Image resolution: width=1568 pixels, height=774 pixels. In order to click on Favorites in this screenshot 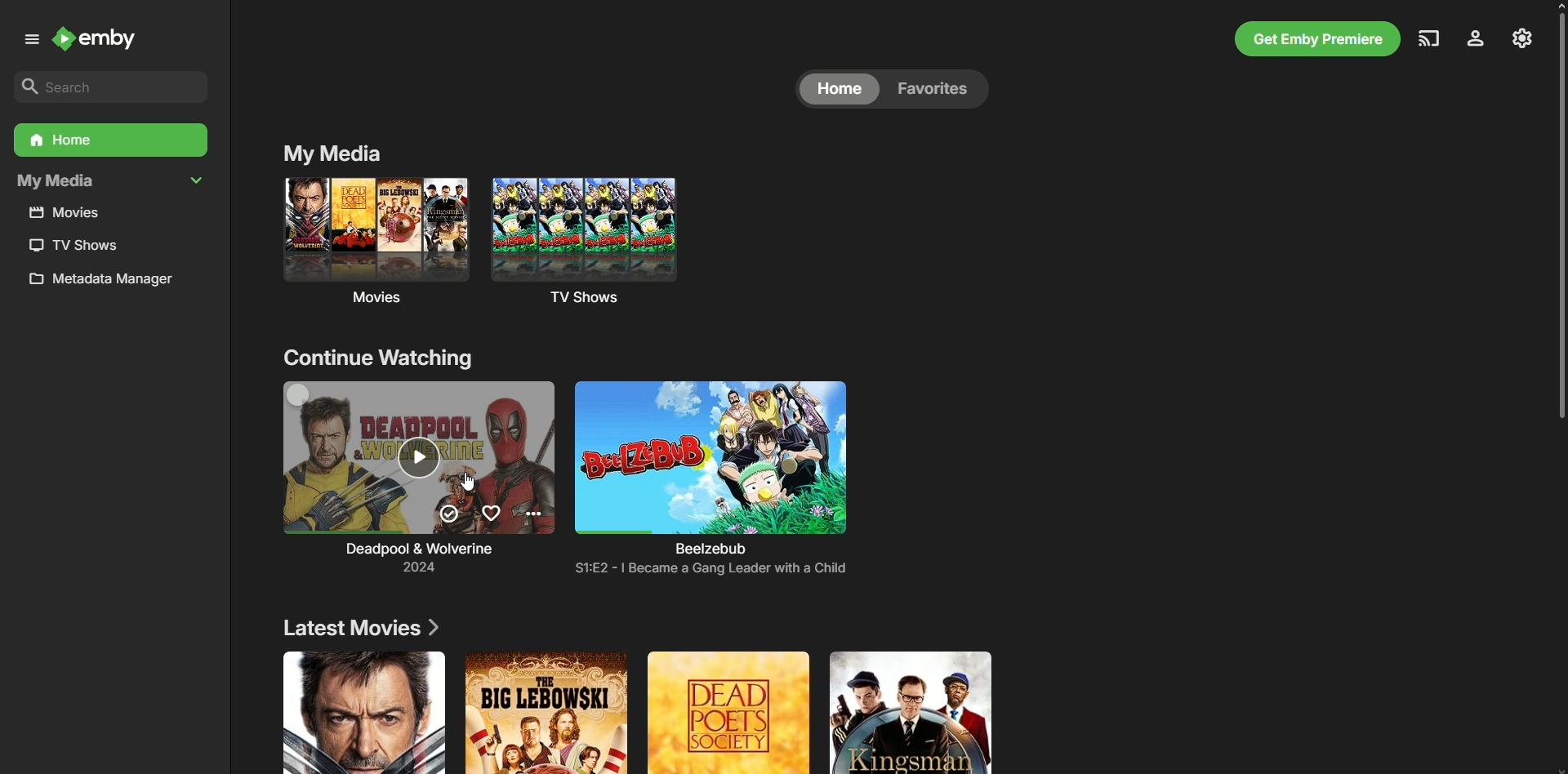, I will do `click(938, 89)`.